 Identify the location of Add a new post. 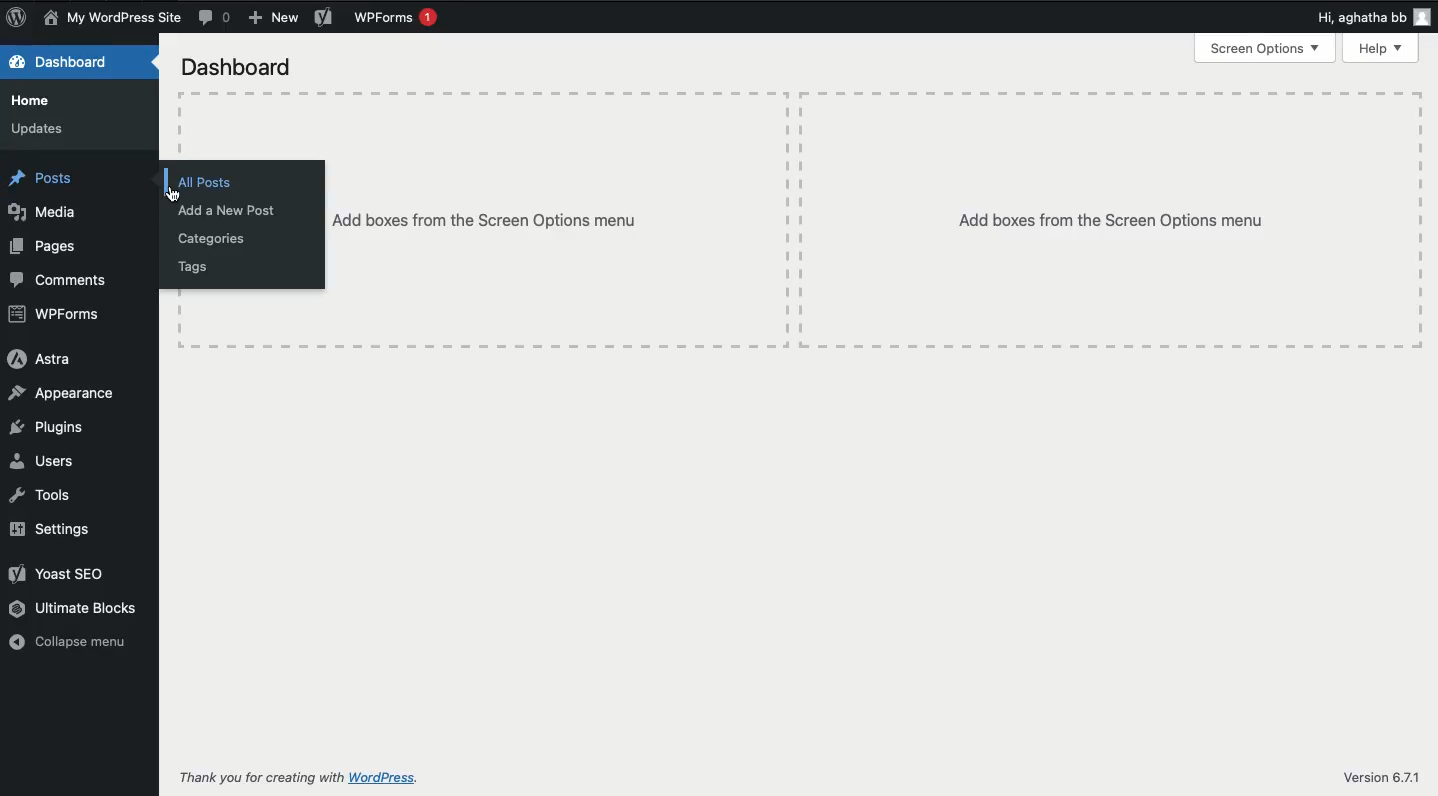
(227, 209).